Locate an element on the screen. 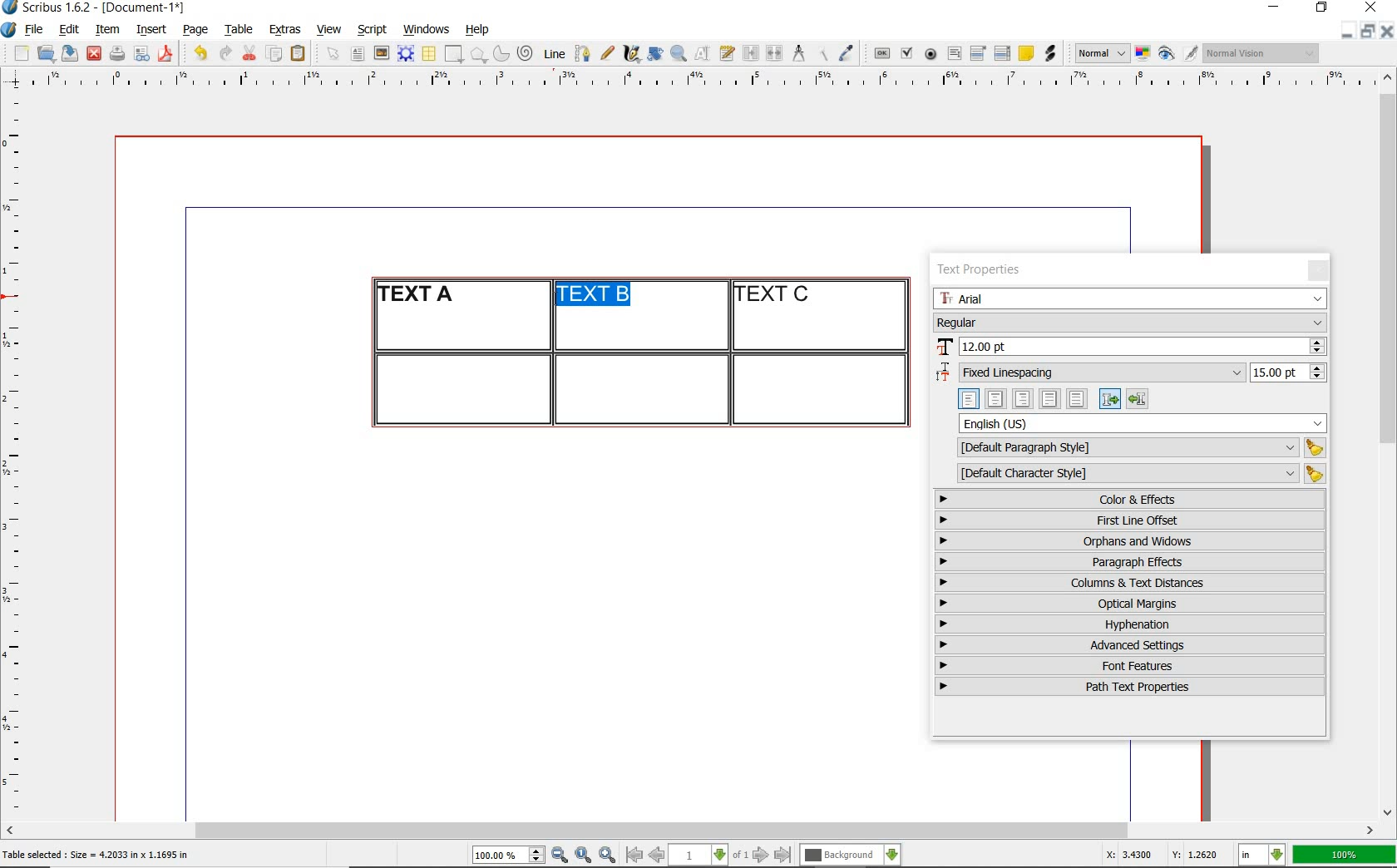  paragraph effects is located at coordinates (1128, 561).